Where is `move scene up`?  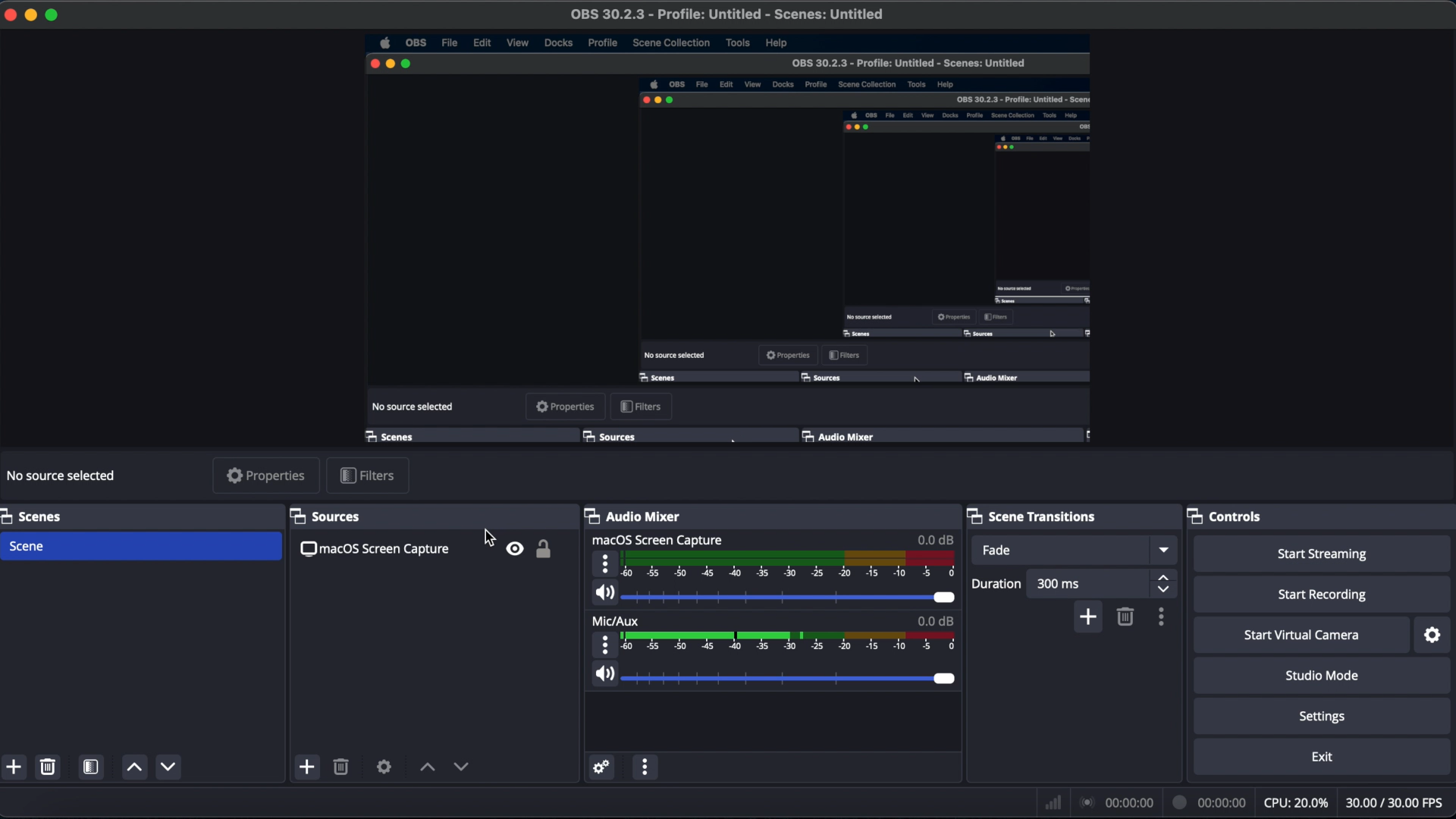
move scene up is located at coordinates (133, 767).